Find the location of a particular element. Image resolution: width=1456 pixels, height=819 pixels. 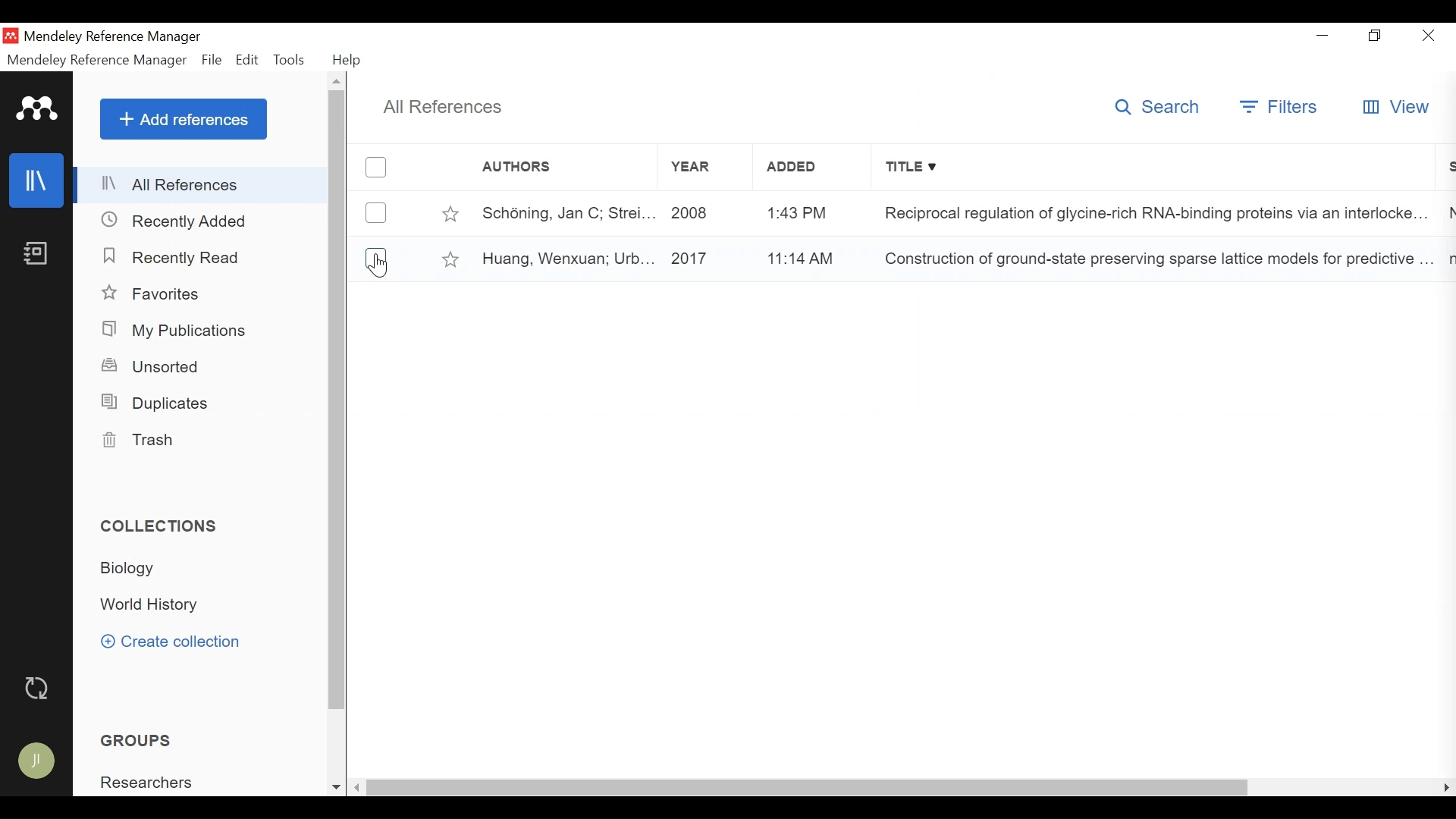

Avatar is located at coordinates (35, 759).